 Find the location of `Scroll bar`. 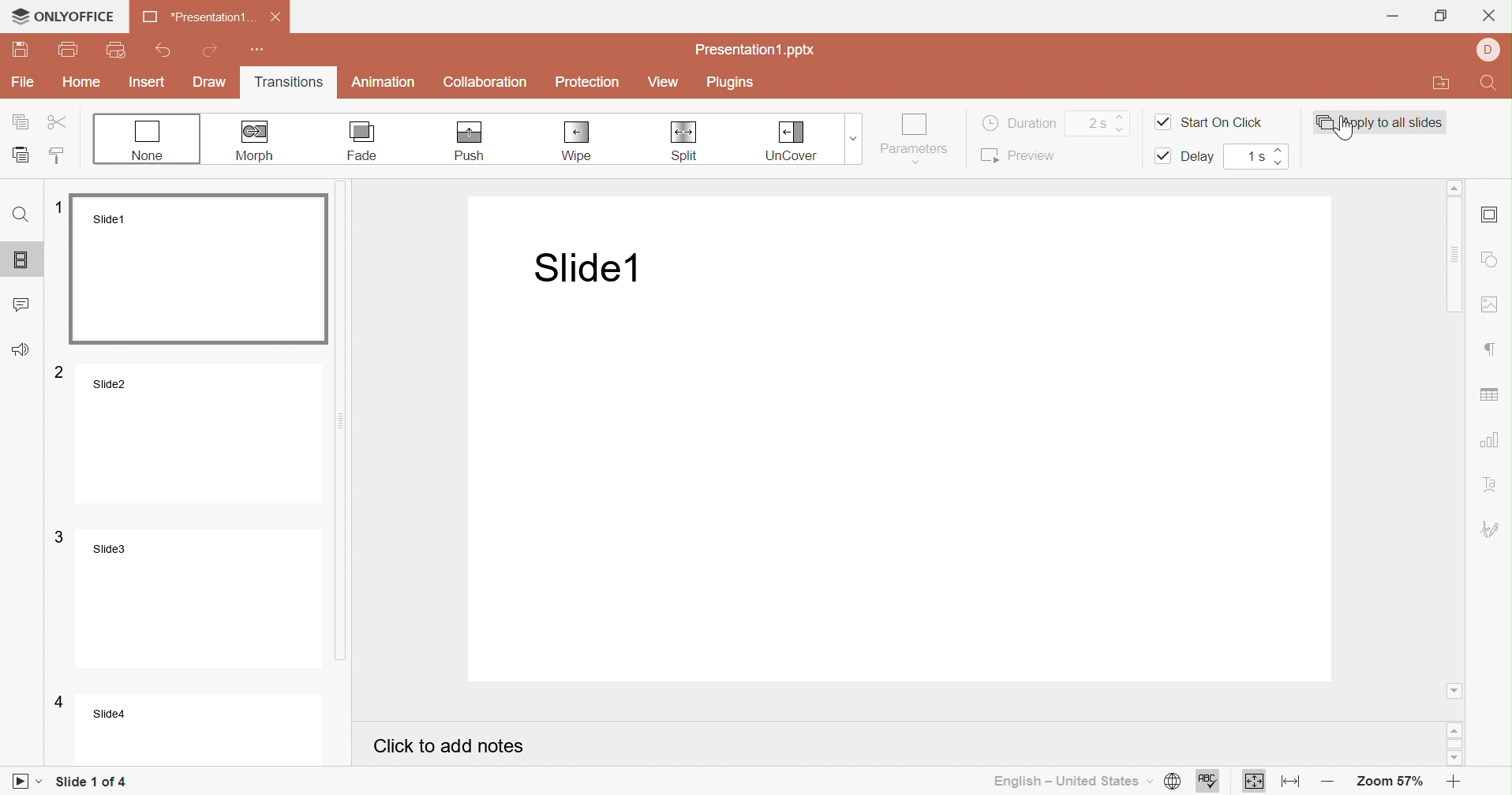

Scroll bar is located at coordinates (348, 420).